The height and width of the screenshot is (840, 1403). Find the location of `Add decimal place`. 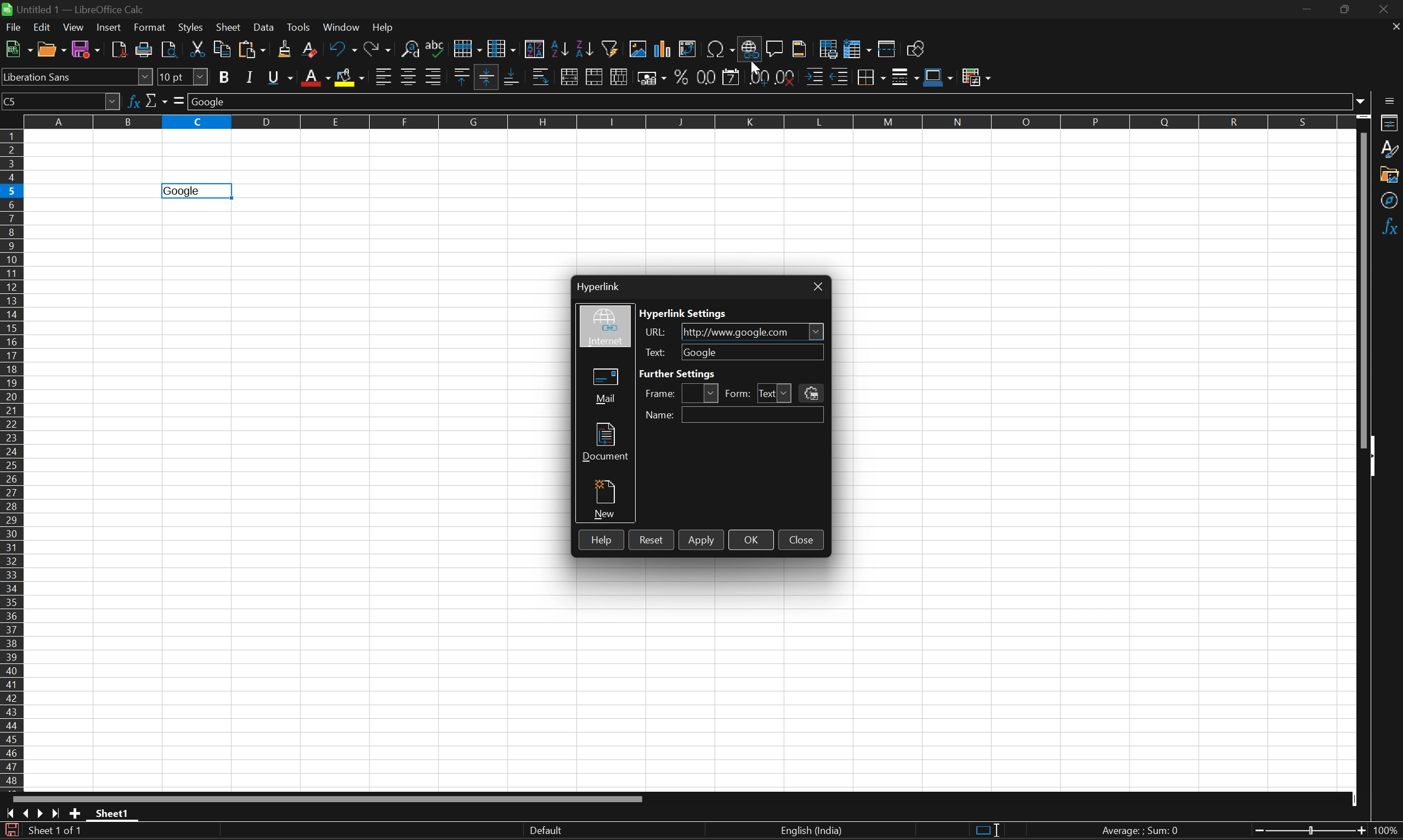

Add decimal place is located at coordinates (756, 77).